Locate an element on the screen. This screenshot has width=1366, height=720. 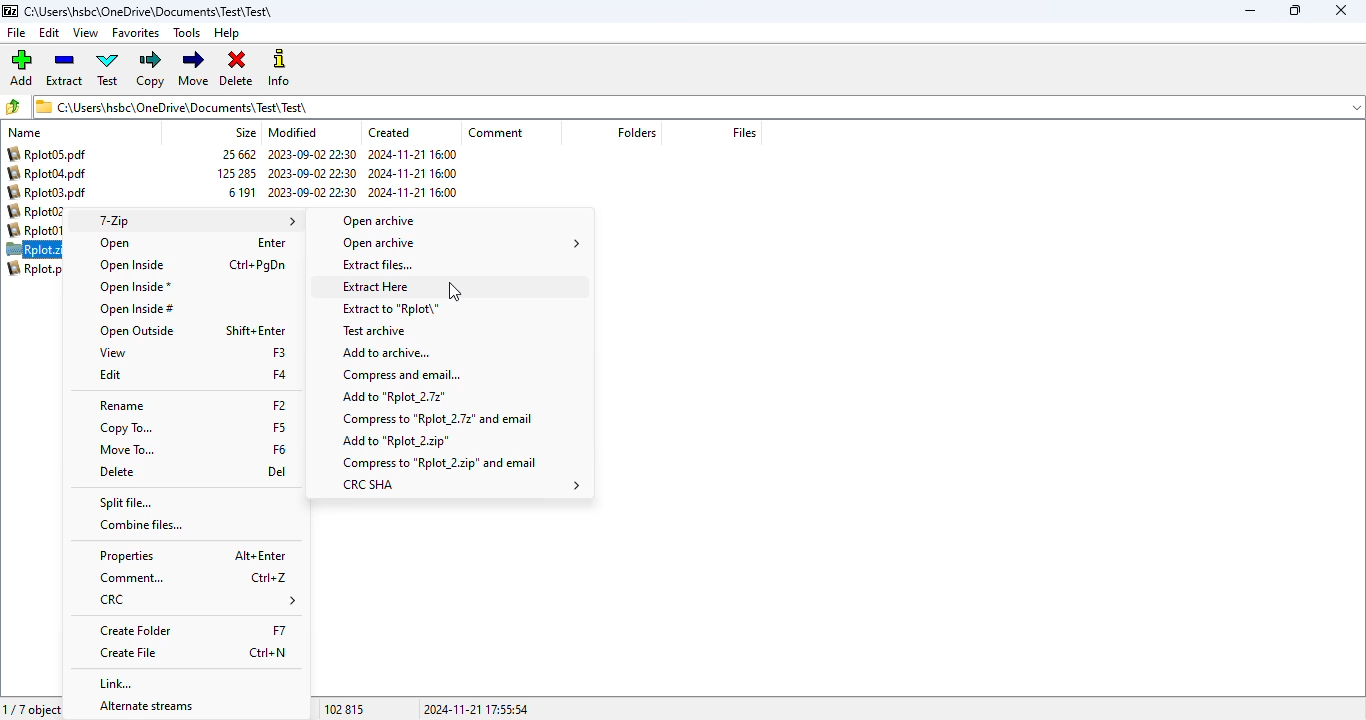
files is located at coordinates (744, 132).